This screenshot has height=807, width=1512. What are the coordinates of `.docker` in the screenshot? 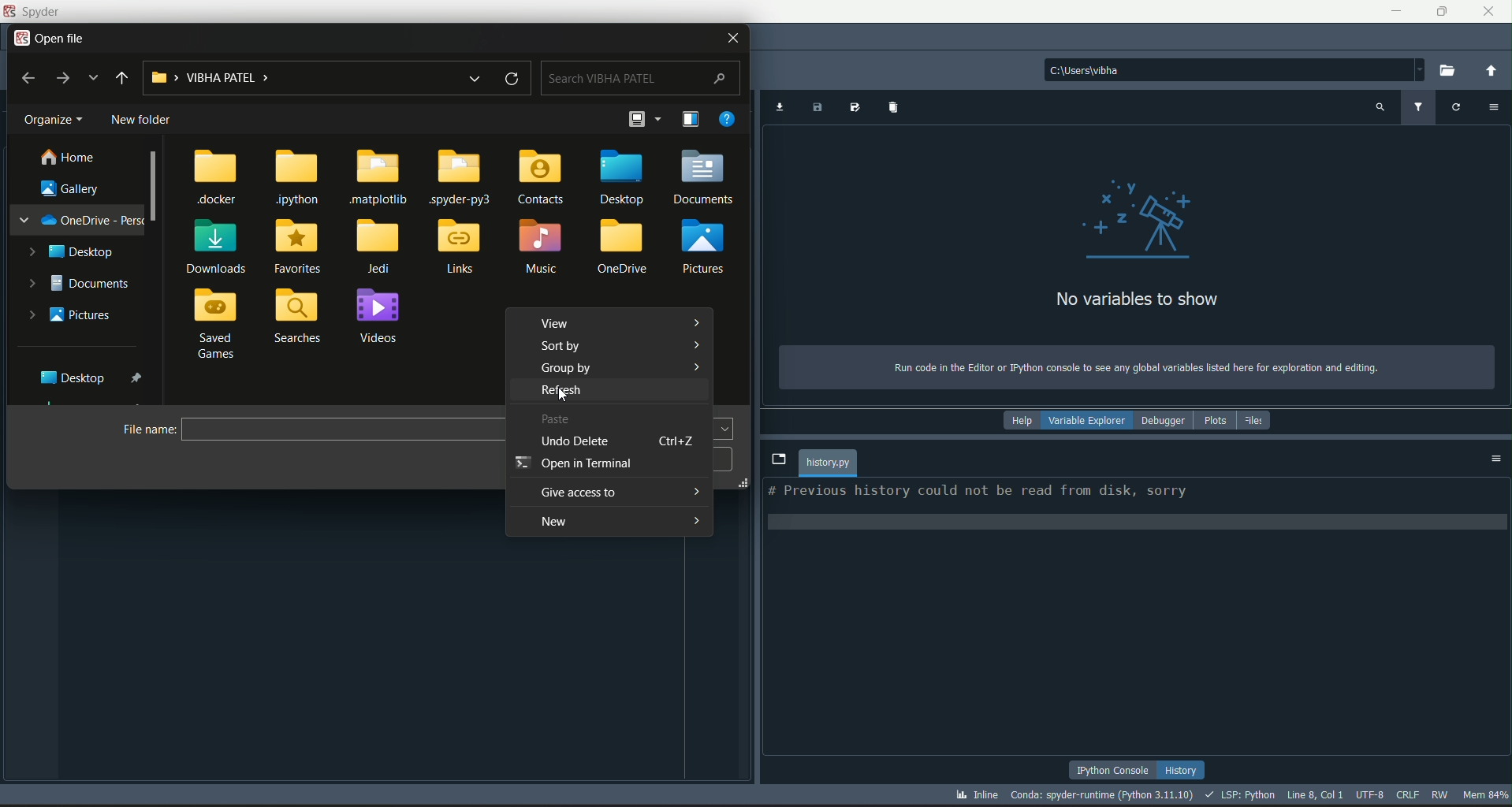 It's located at (218, 179).